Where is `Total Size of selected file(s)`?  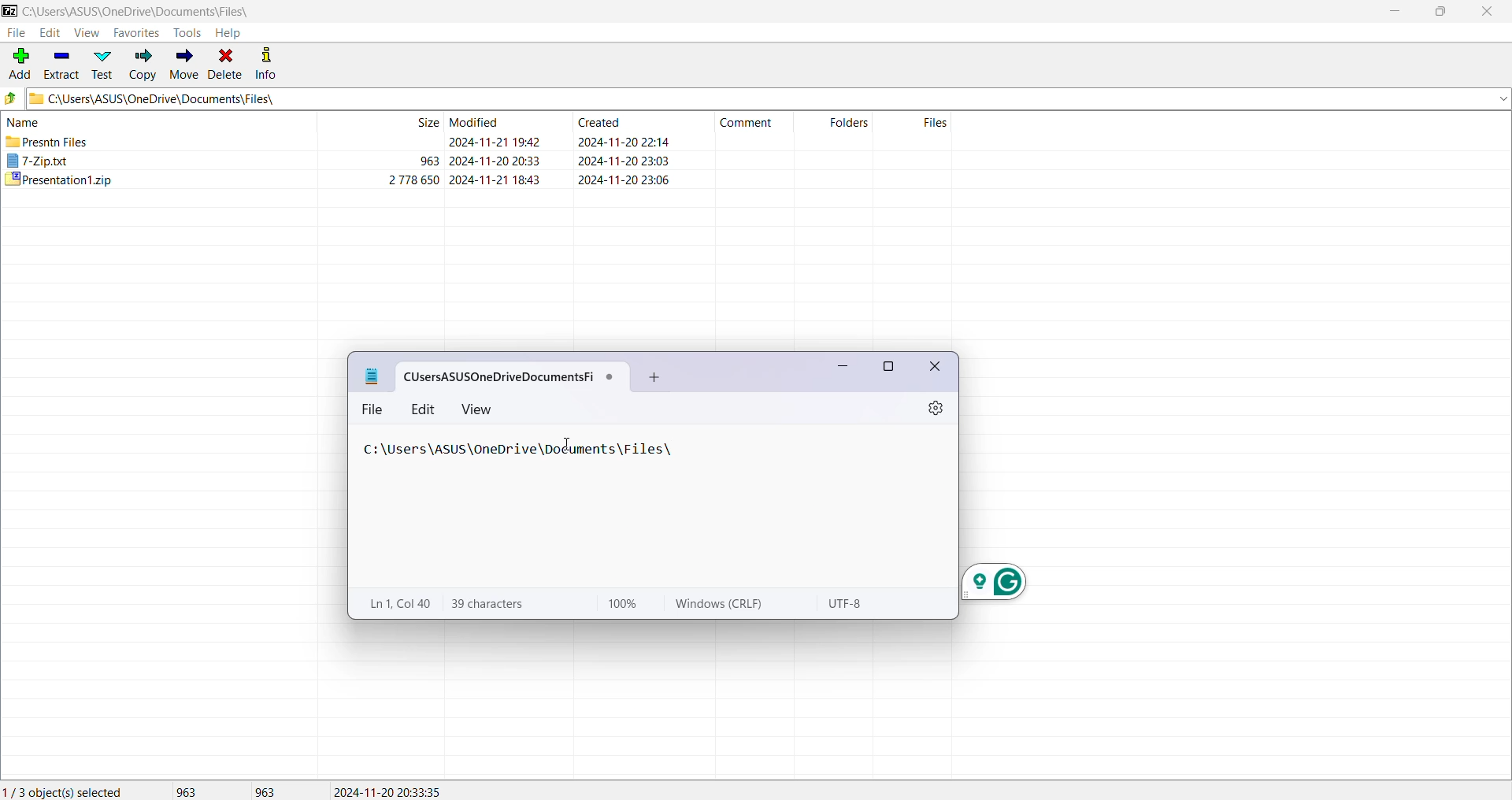
Total Size of selected file(s) is located at coordinates (187, 790).